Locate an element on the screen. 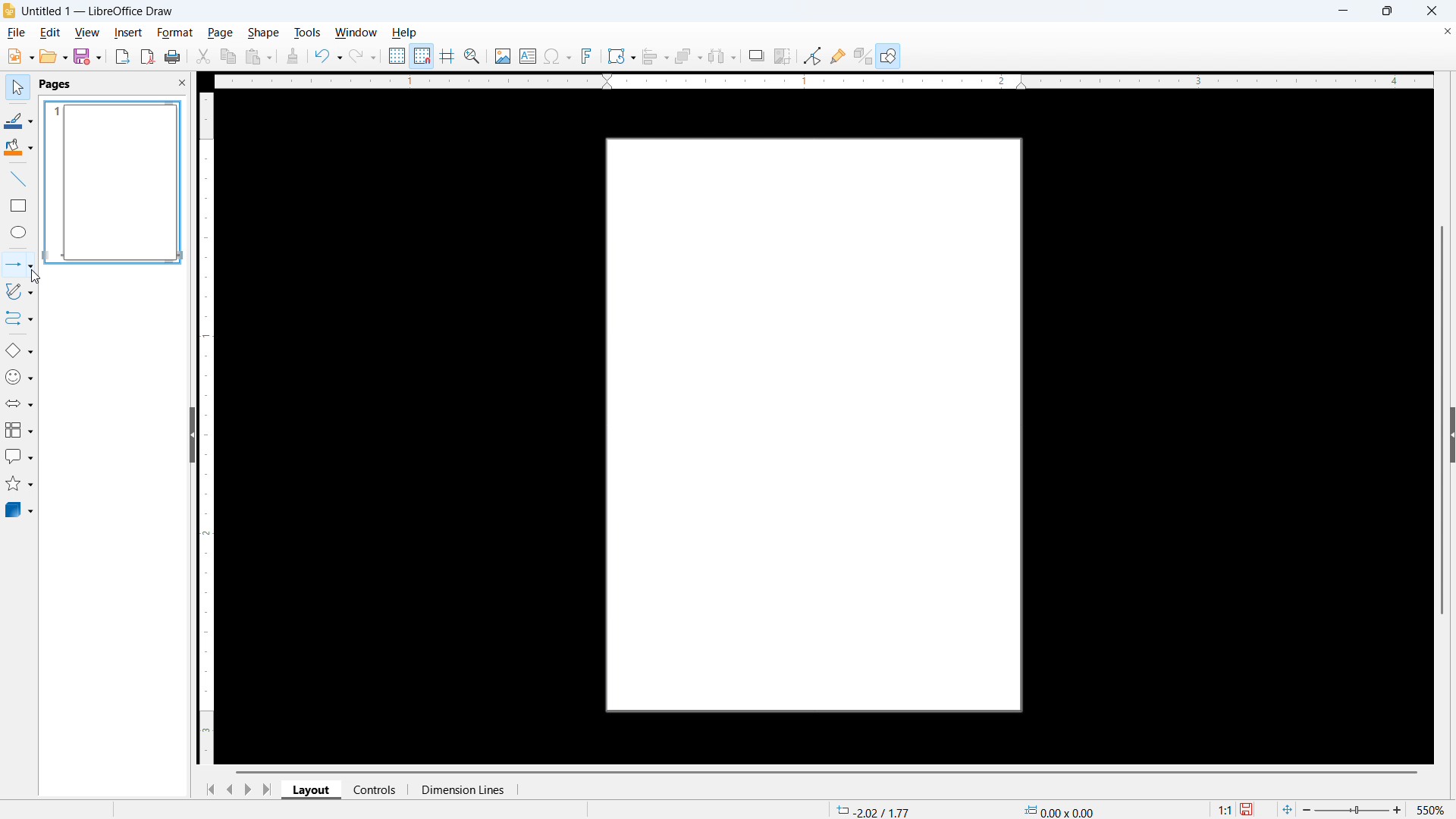  Layout  is located at coordinates (312, 789).